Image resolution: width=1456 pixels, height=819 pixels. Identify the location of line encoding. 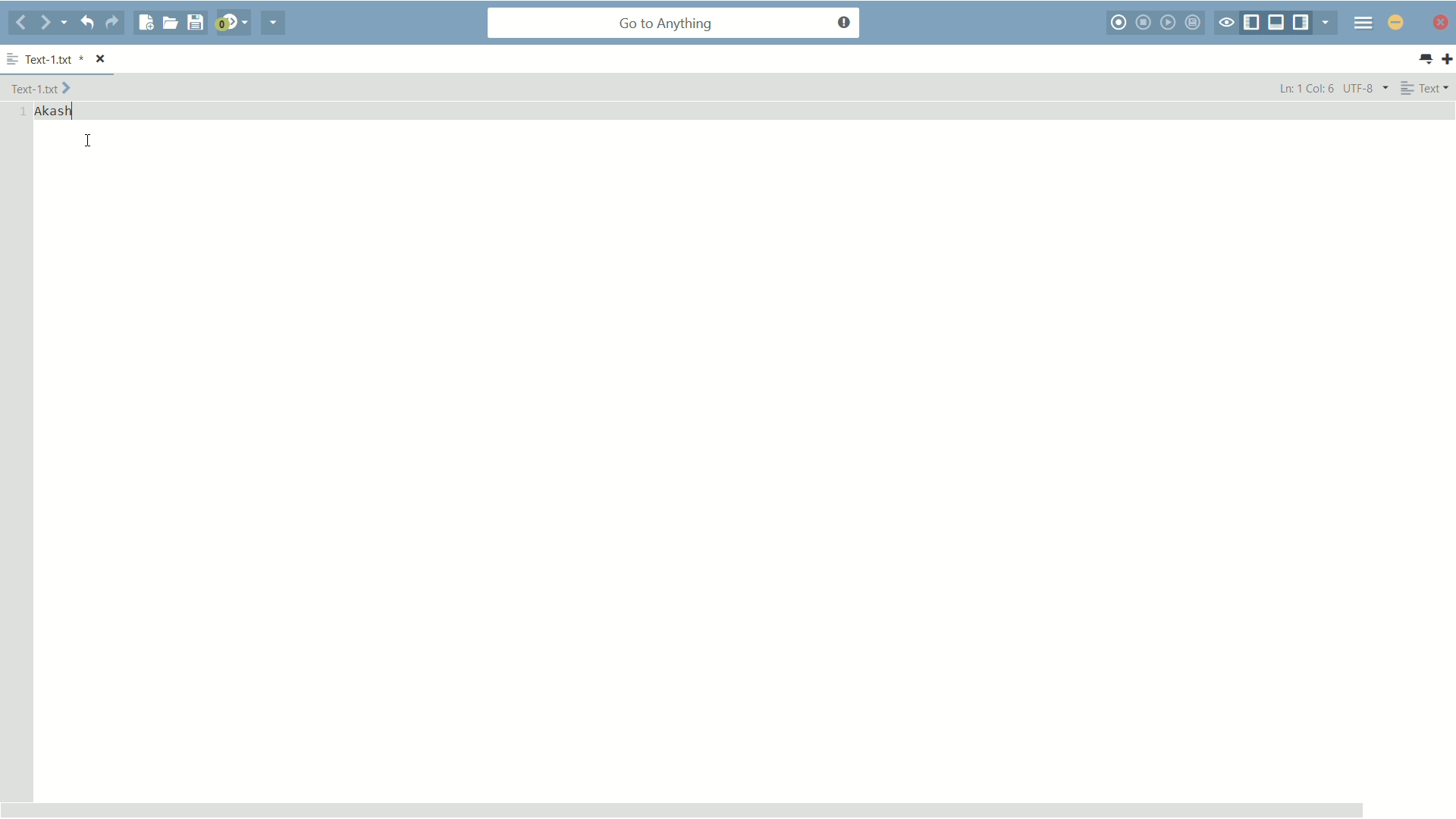
(1367, 88).